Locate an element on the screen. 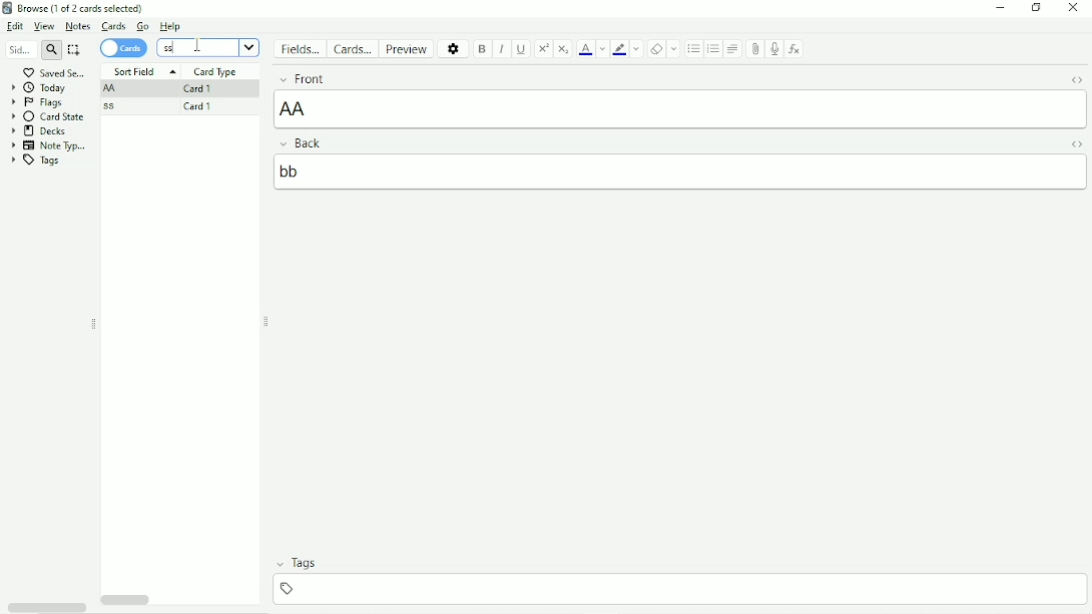 Image resolution: width=1092 pixels, height=614 pixels. SS is located at coordinates (113, 107).